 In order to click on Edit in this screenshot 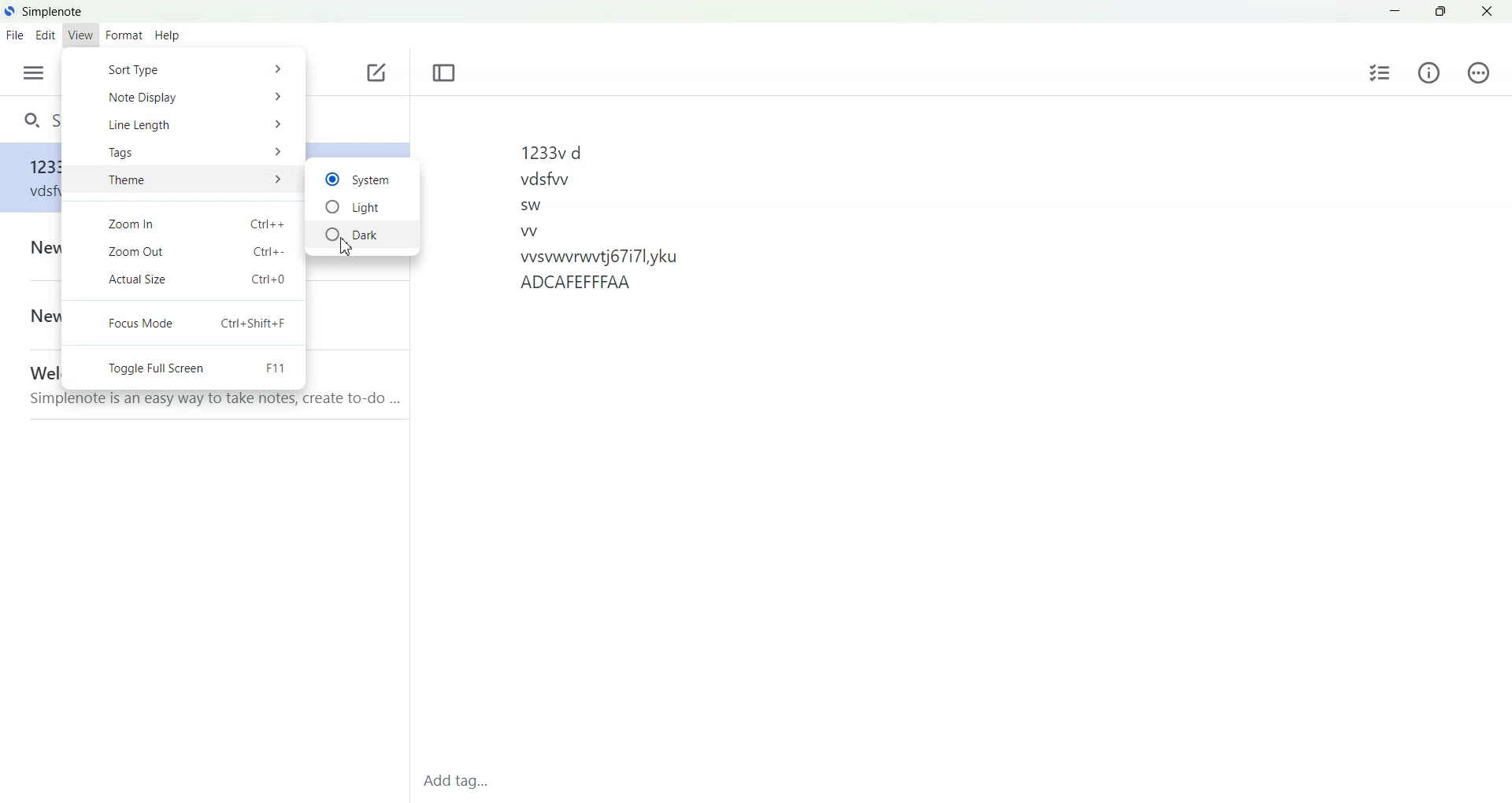, I will do `click(45, 35)`.